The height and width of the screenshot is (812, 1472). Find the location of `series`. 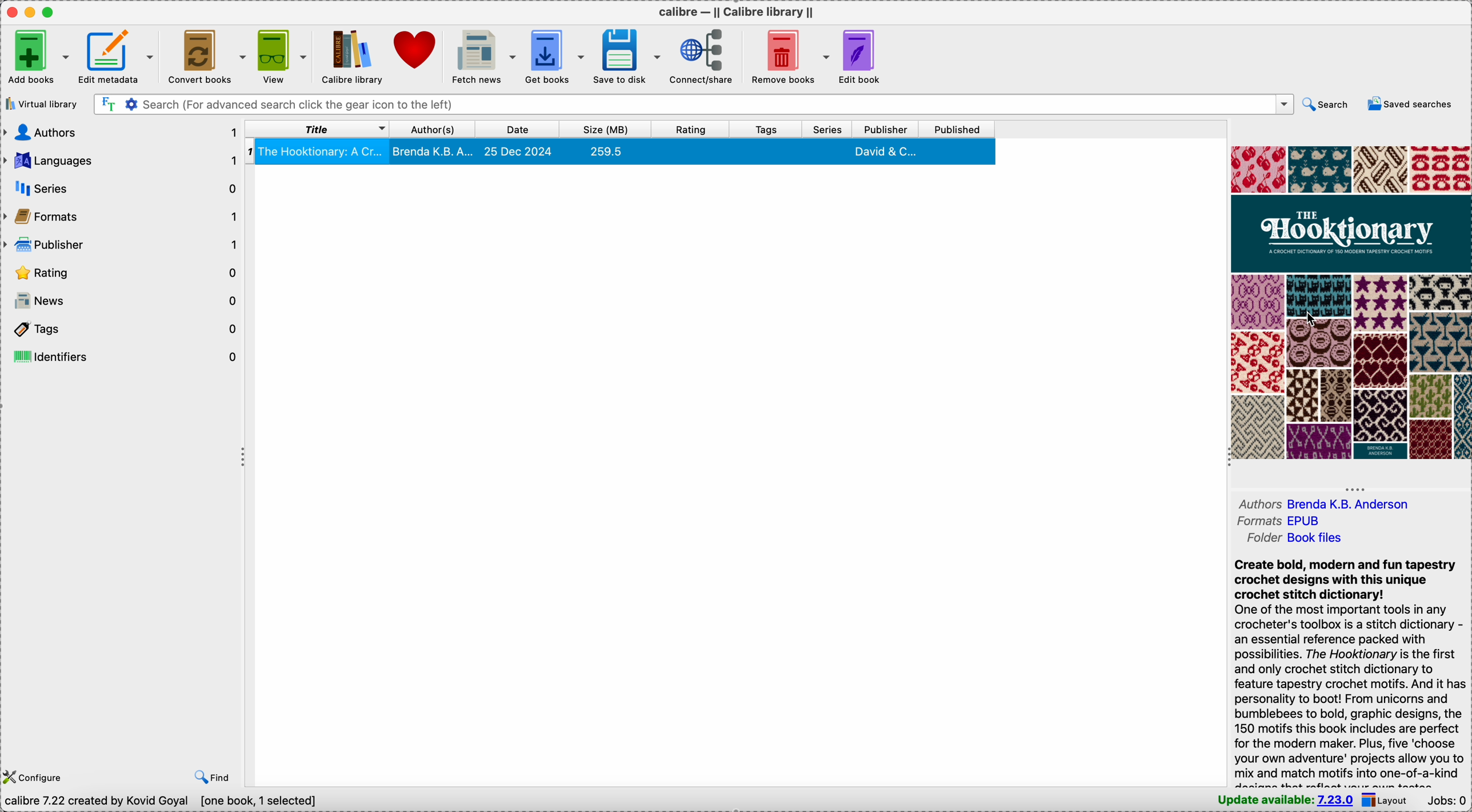

series is located at coordinates (826, 129).